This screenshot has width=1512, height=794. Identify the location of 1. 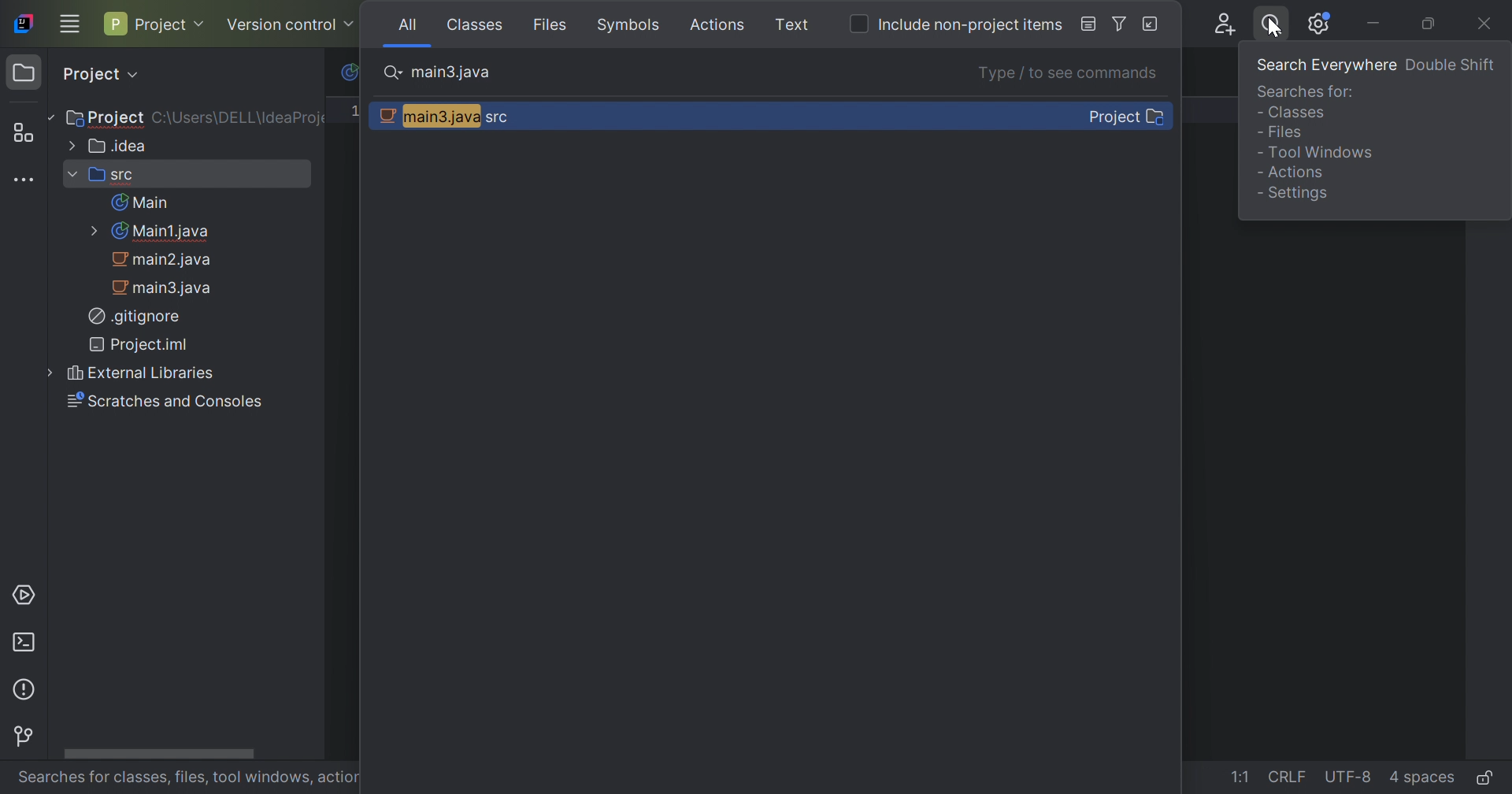
(359, 110).